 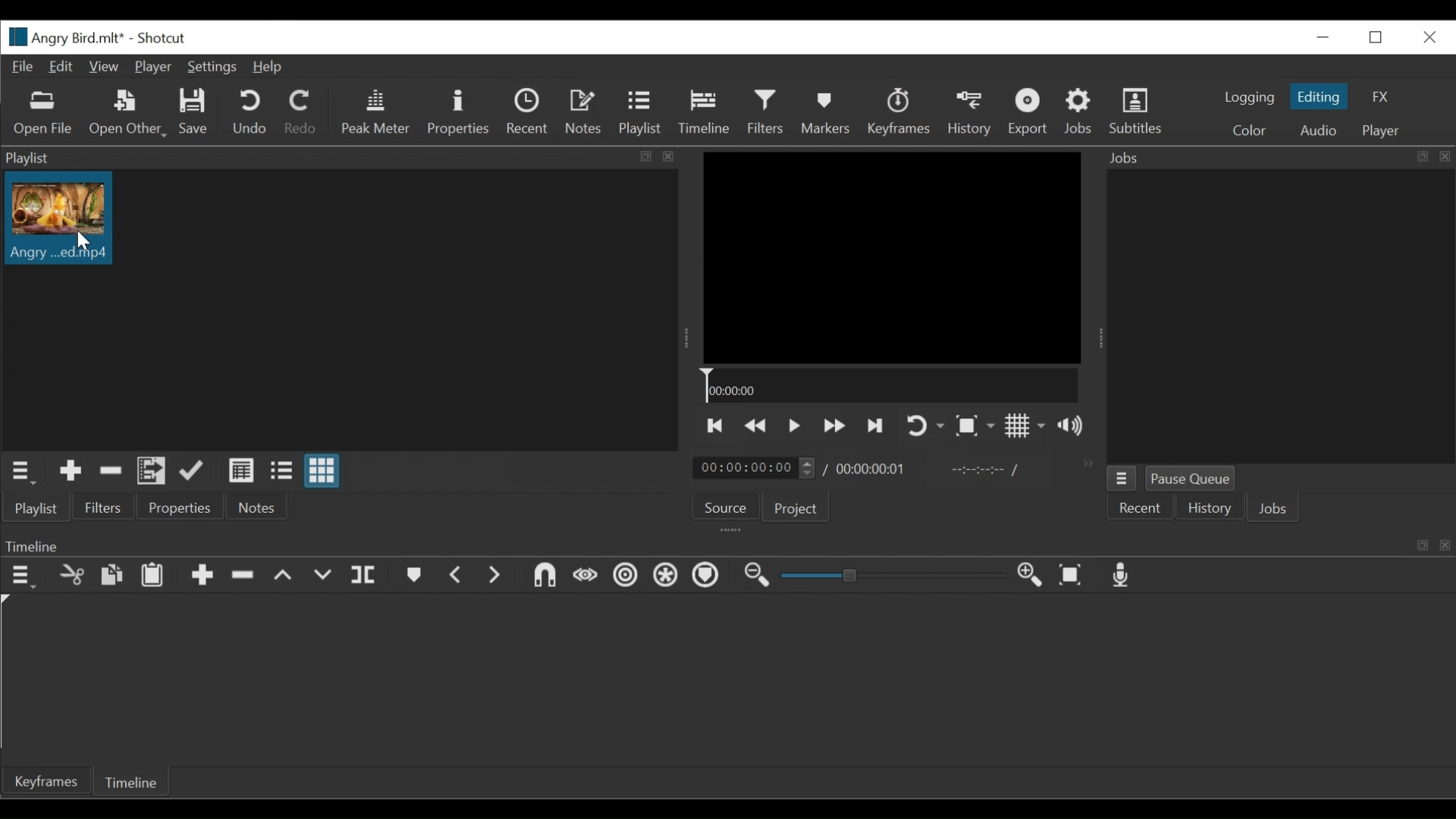 I want to click on Notes, so click(x=254, y=507).